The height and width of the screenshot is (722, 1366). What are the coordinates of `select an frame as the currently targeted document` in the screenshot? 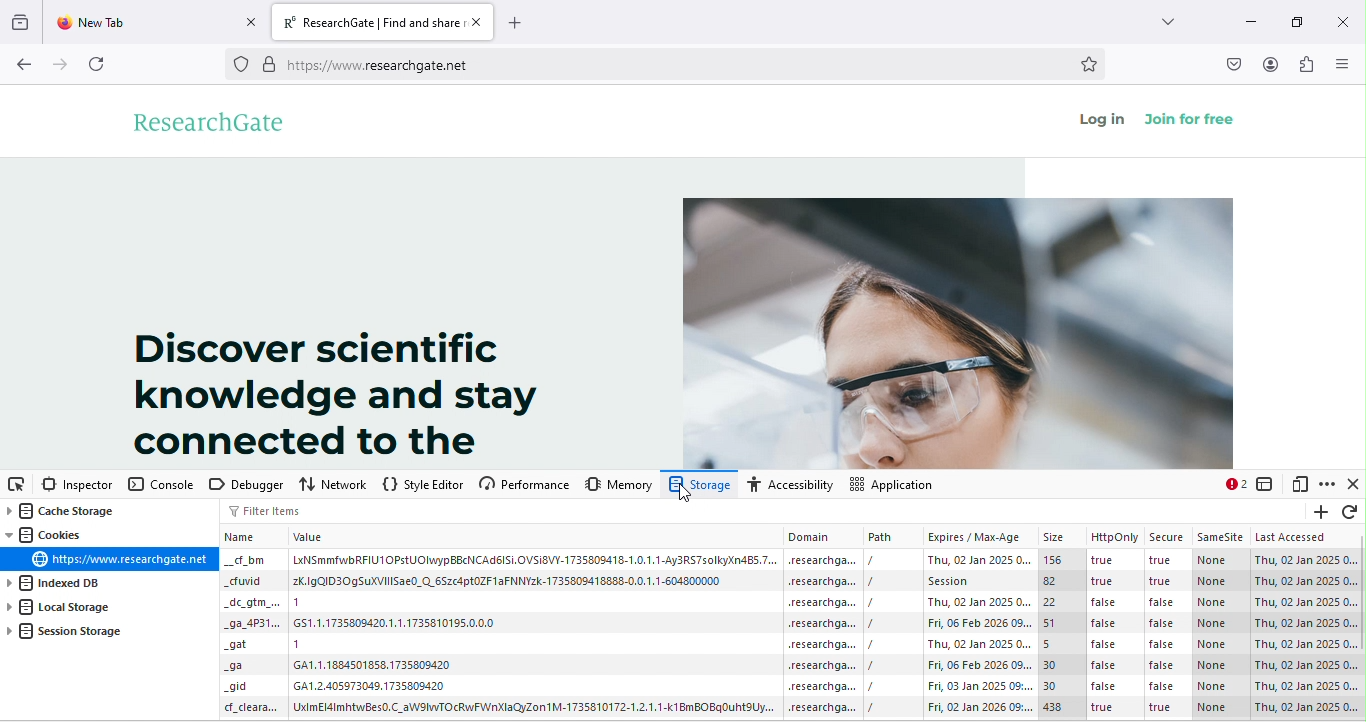 It's located at (1265, 487).